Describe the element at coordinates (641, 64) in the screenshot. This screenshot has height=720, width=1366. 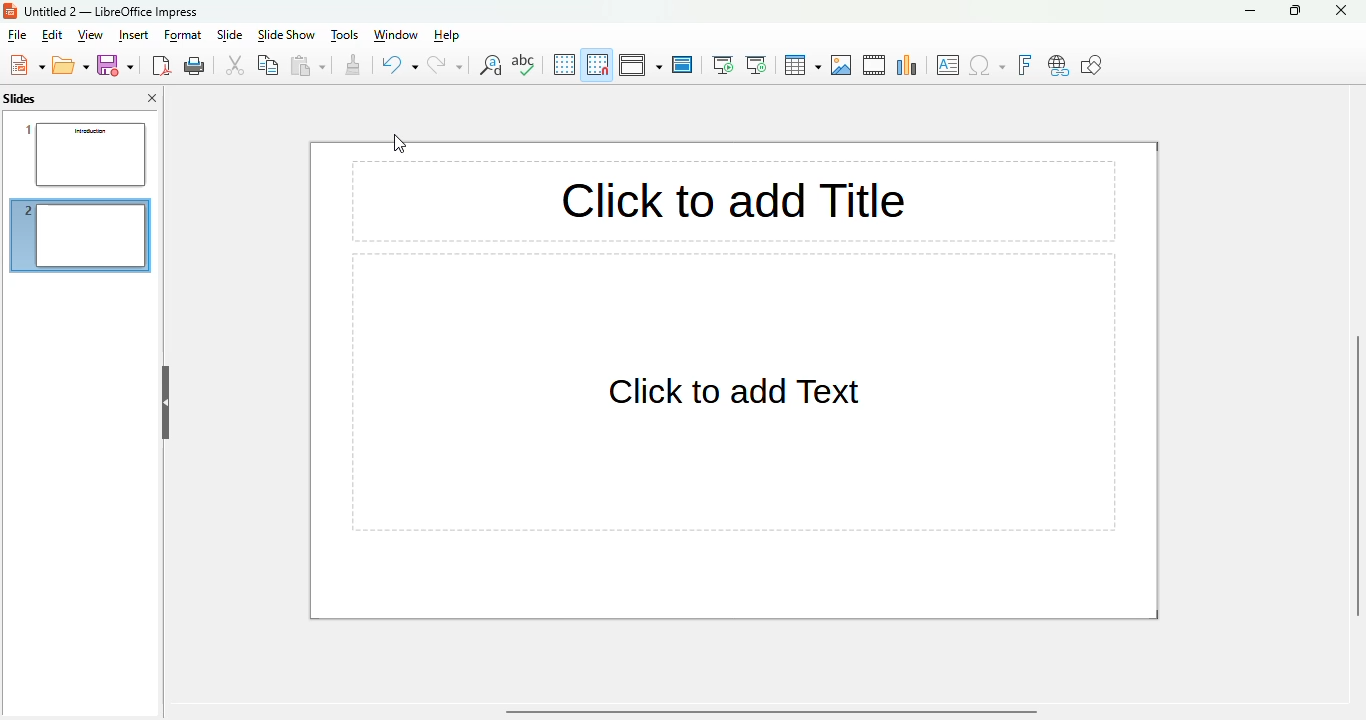
I see `display views` at that location.